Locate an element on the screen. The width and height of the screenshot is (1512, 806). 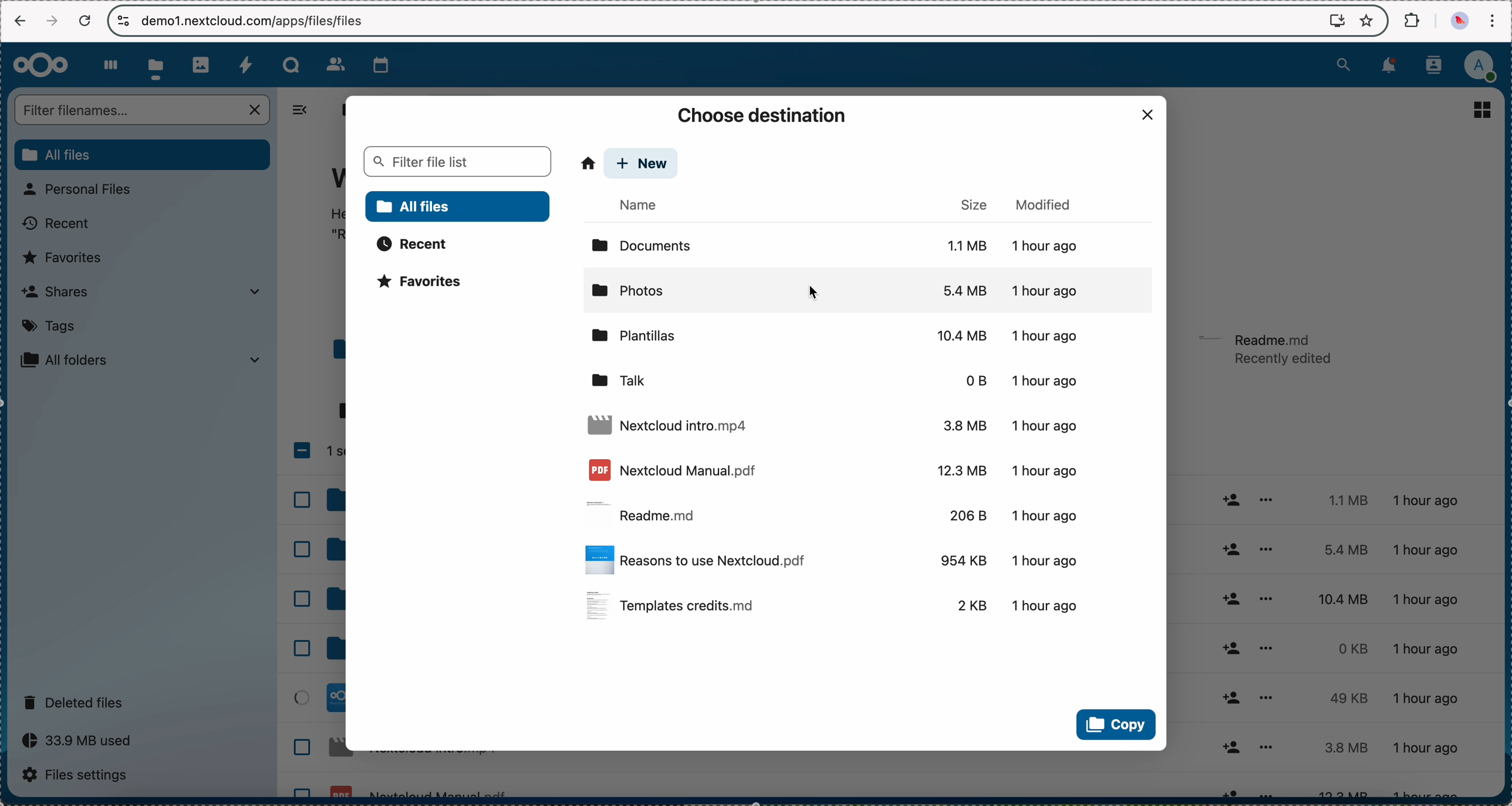
checkboxes is located at coordinates (315, 612).